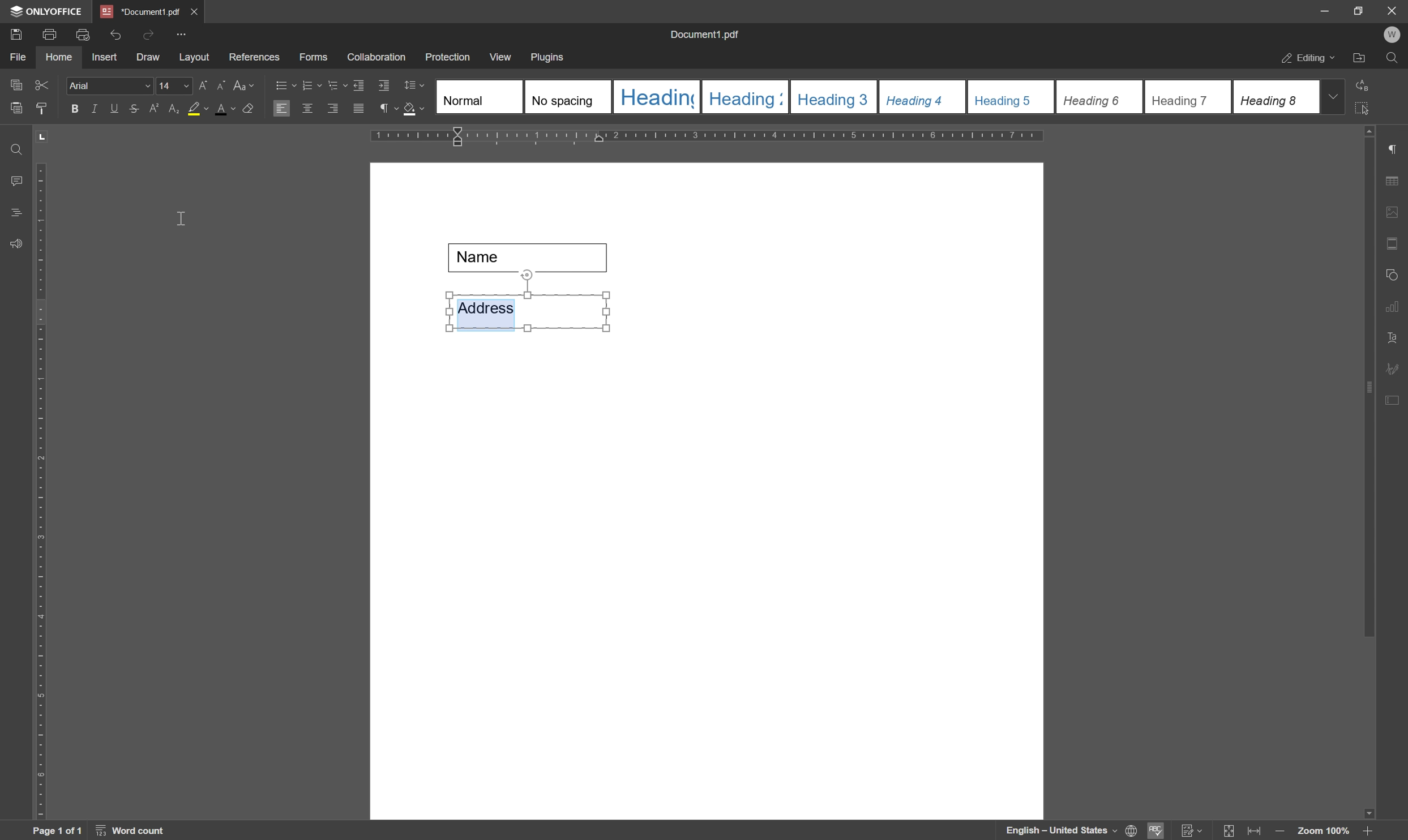 Image resolution: width=1408 pixels, height=840 pixels. Describe the element at coordinates (1257, 832) in the screenshot. I see `fit to width` at that location.